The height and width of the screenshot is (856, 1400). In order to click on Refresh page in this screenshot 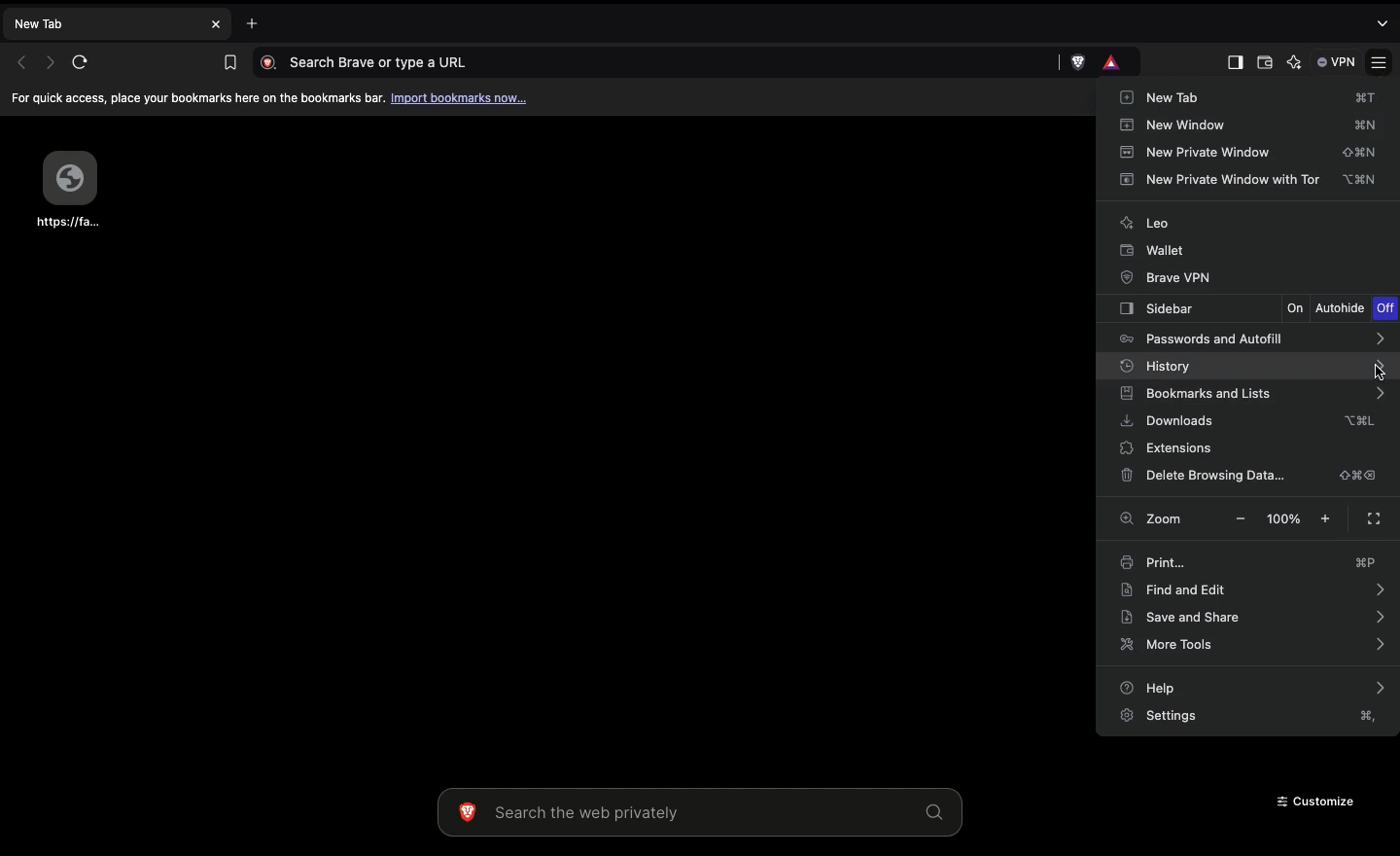, I will do `click(80, 61)`.